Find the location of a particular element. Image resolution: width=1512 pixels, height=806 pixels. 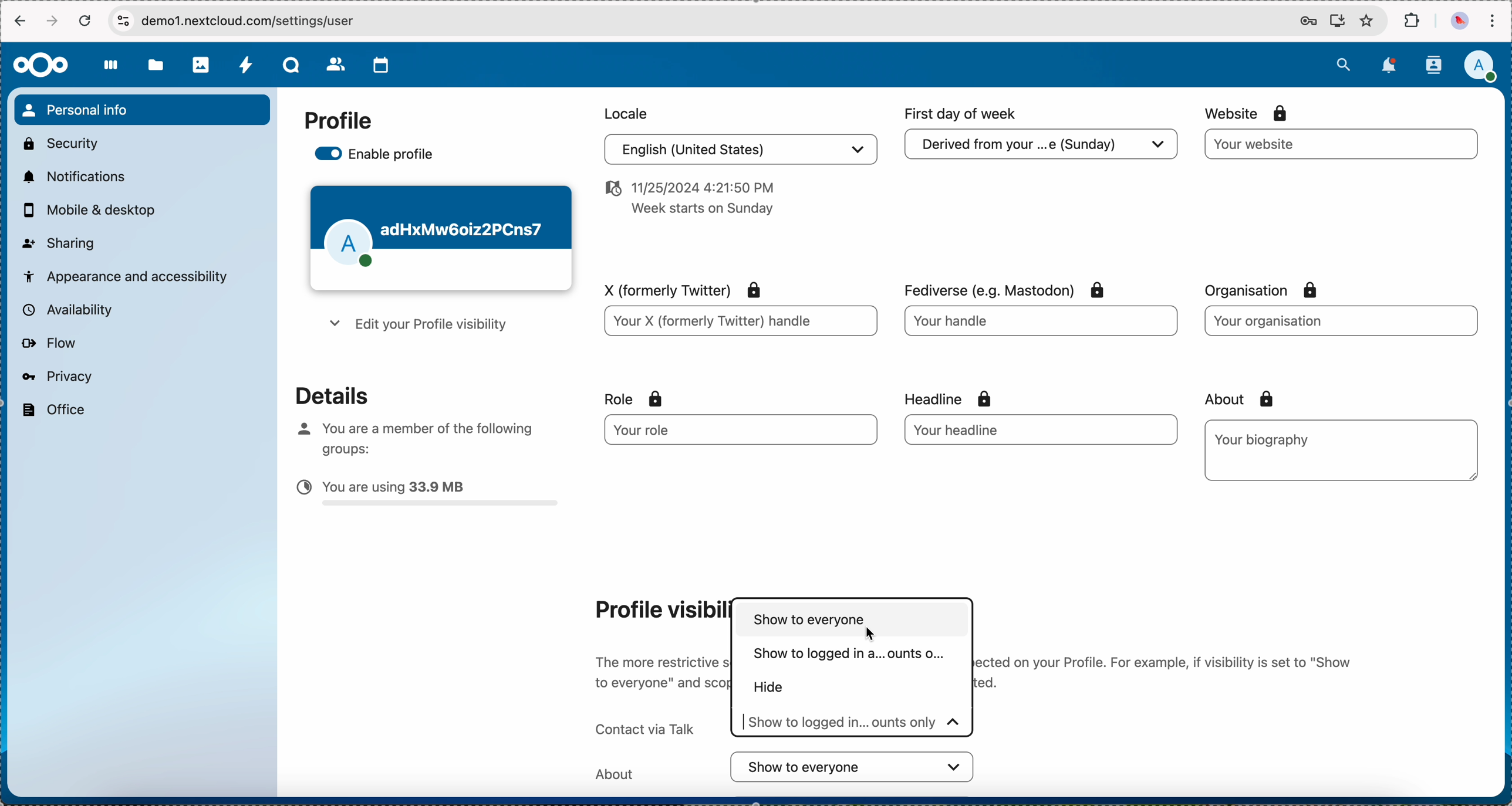

organisation is located at coordinates (1339, 320).